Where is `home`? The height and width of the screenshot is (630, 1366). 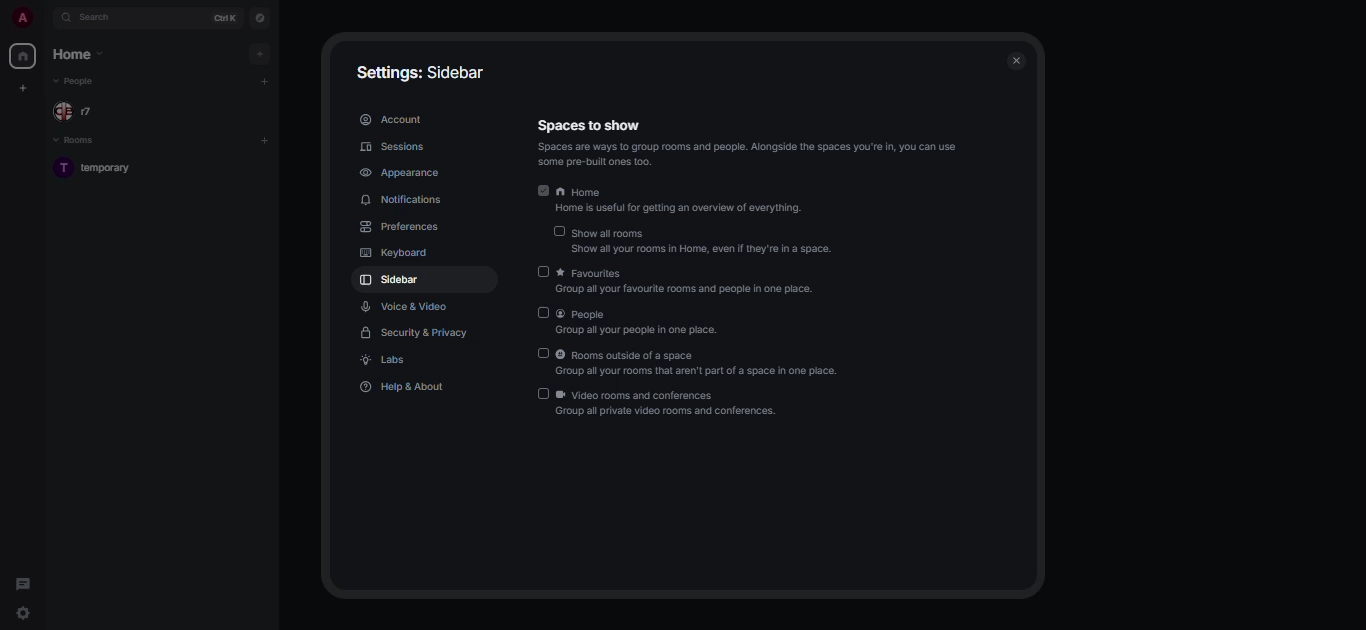 home is located at coordinates (78, 57).